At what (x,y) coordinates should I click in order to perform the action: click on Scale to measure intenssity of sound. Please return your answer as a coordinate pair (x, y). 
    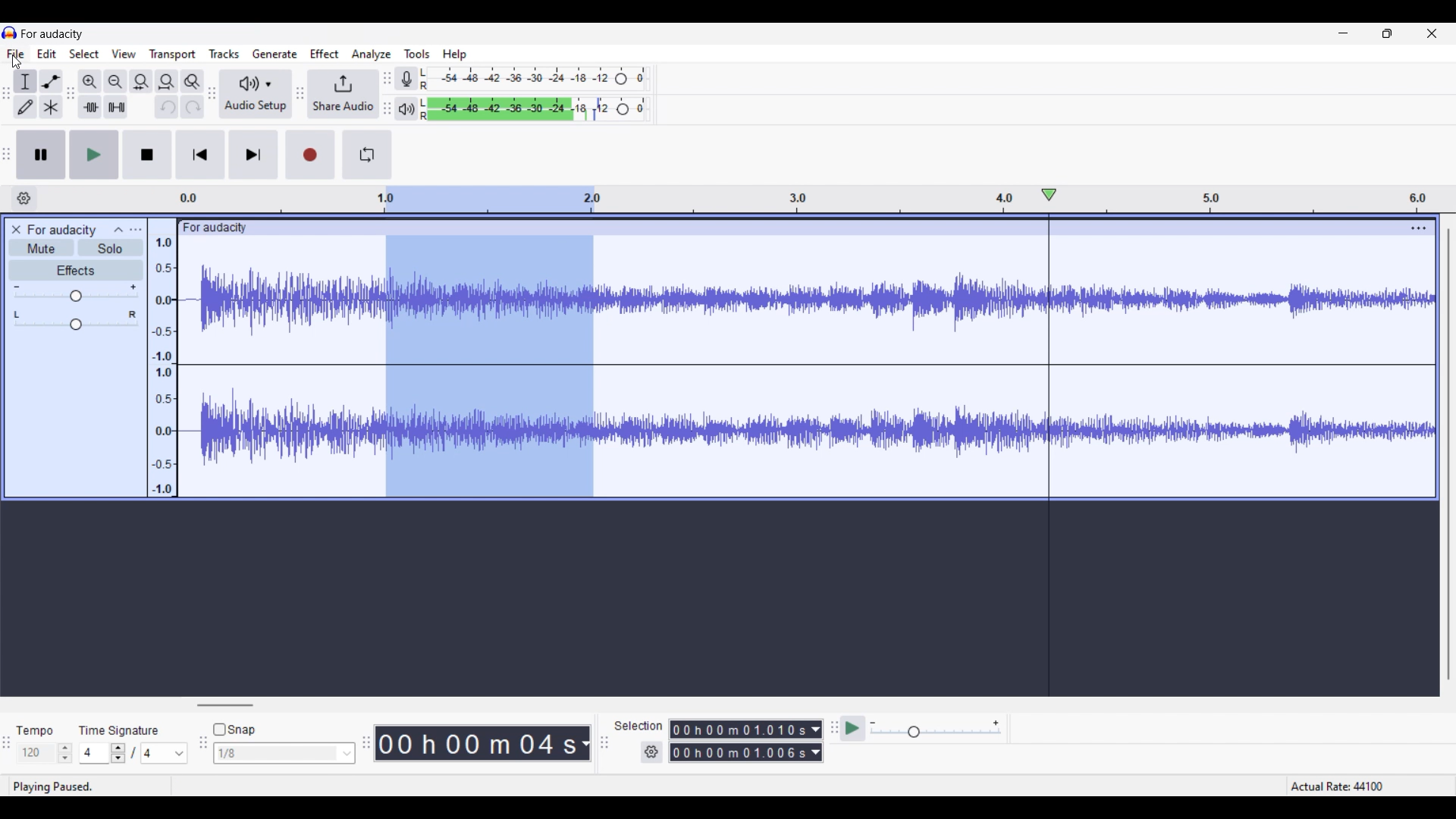
    Looking at the image, I should click on (163, 366).